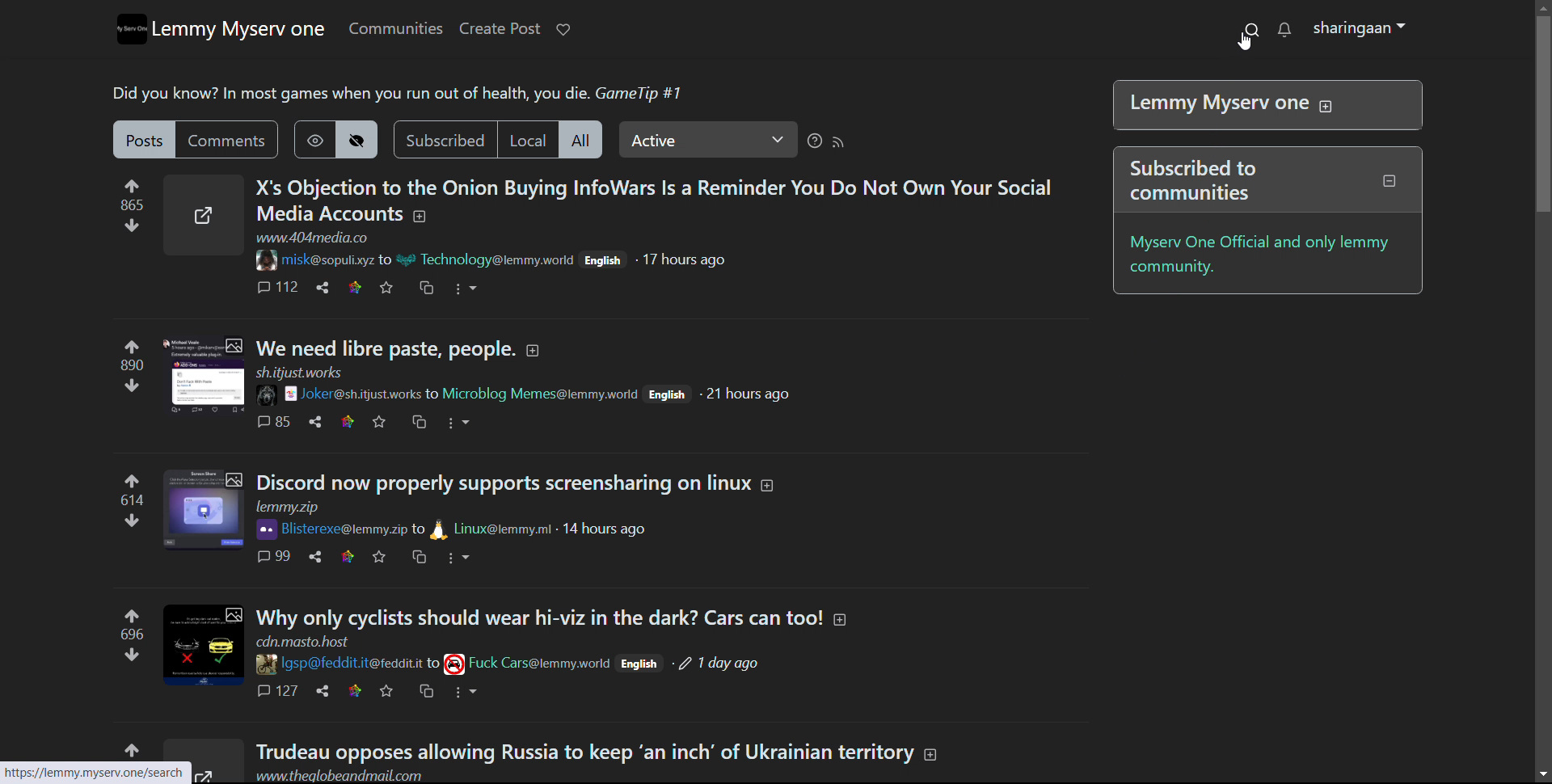 This screenshot has height=784, width=1552. Describe the element at coordinates (128, 635) in the screenshot. I see `votes` at that location.